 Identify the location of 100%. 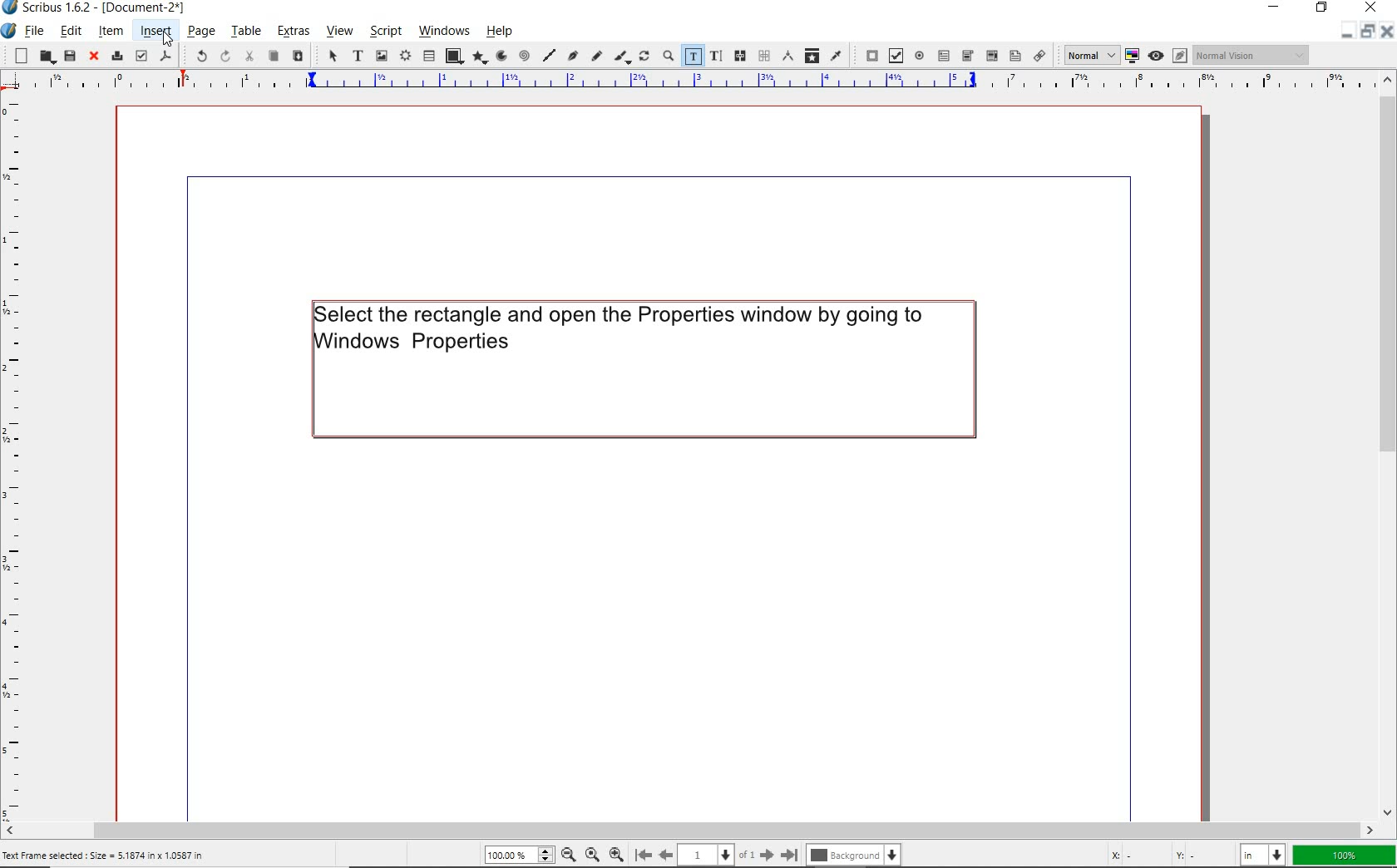
(1345, 856).